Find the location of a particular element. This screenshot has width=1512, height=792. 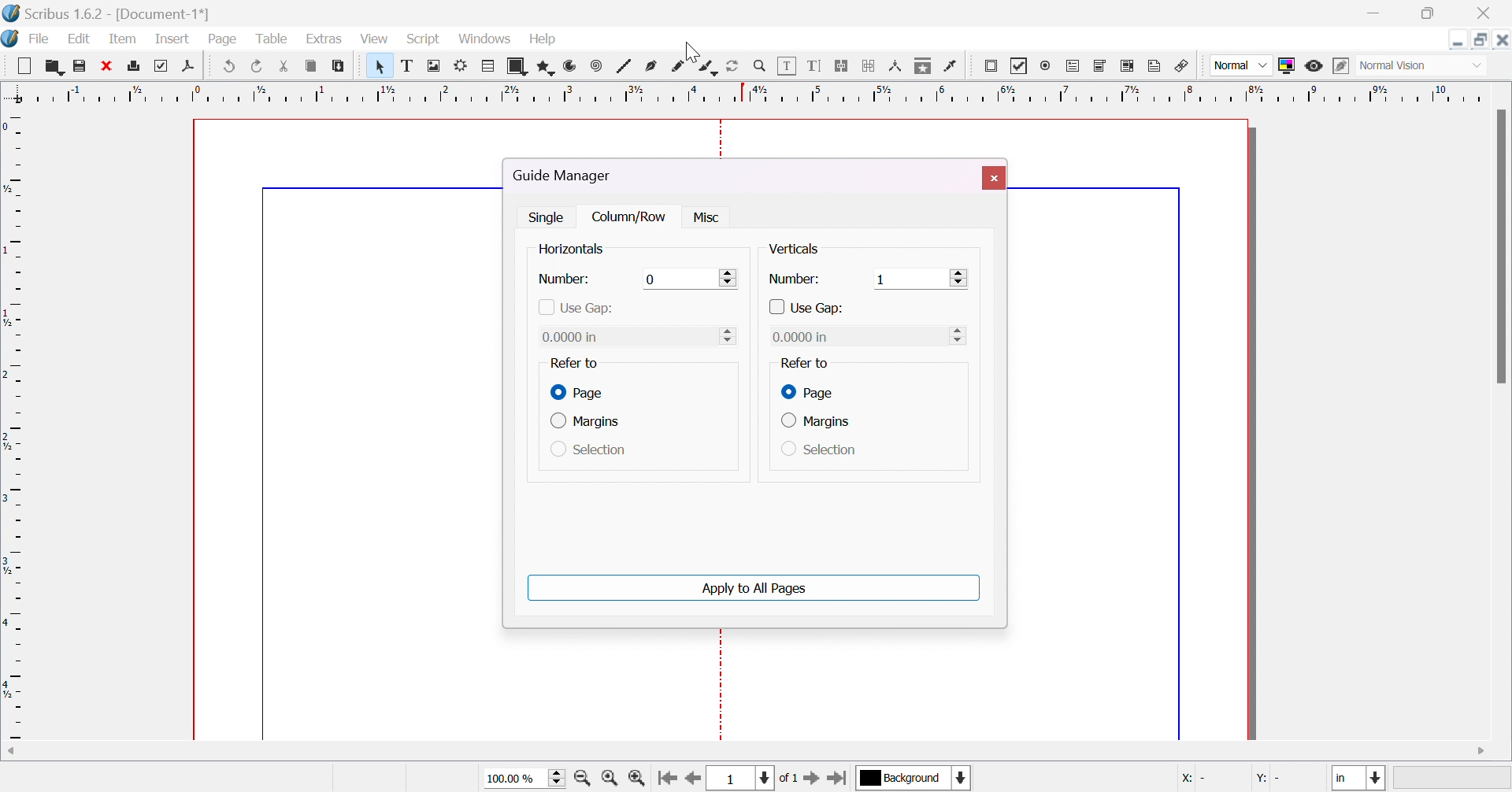

redo is located at coordinates (256, 65).